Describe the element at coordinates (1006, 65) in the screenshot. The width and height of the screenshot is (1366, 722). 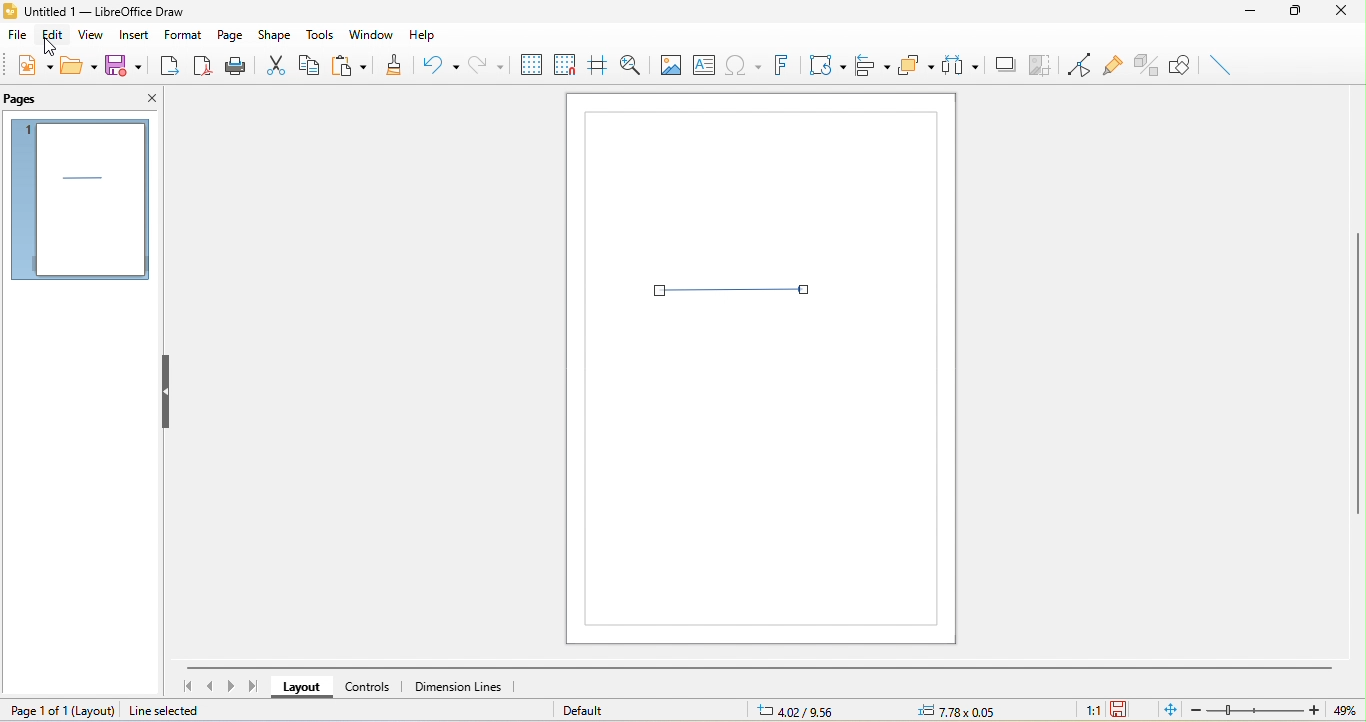
I see `shadow` at that location.